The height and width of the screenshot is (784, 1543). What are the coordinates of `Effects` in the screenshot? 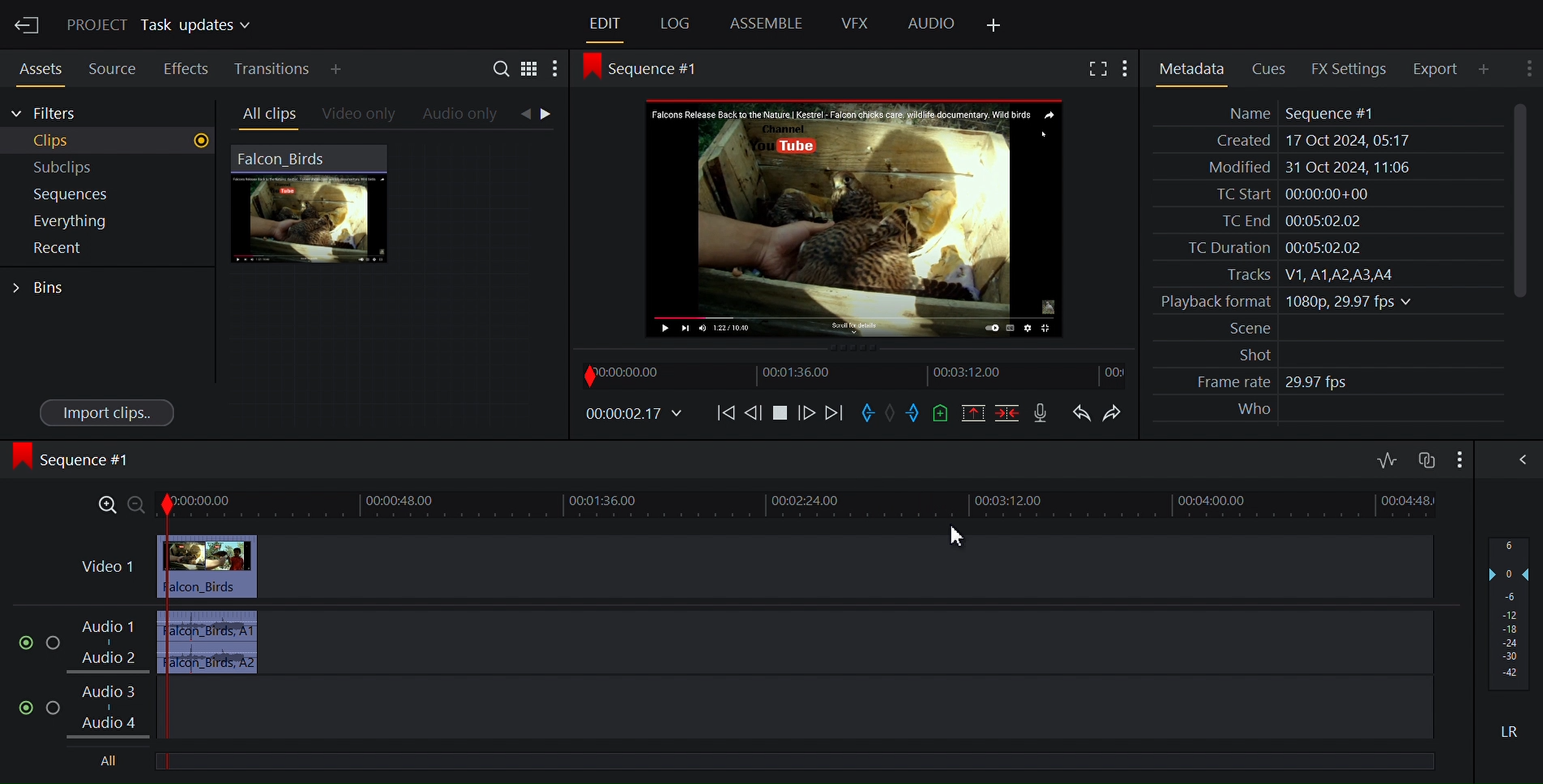 It's located at (186, 69).